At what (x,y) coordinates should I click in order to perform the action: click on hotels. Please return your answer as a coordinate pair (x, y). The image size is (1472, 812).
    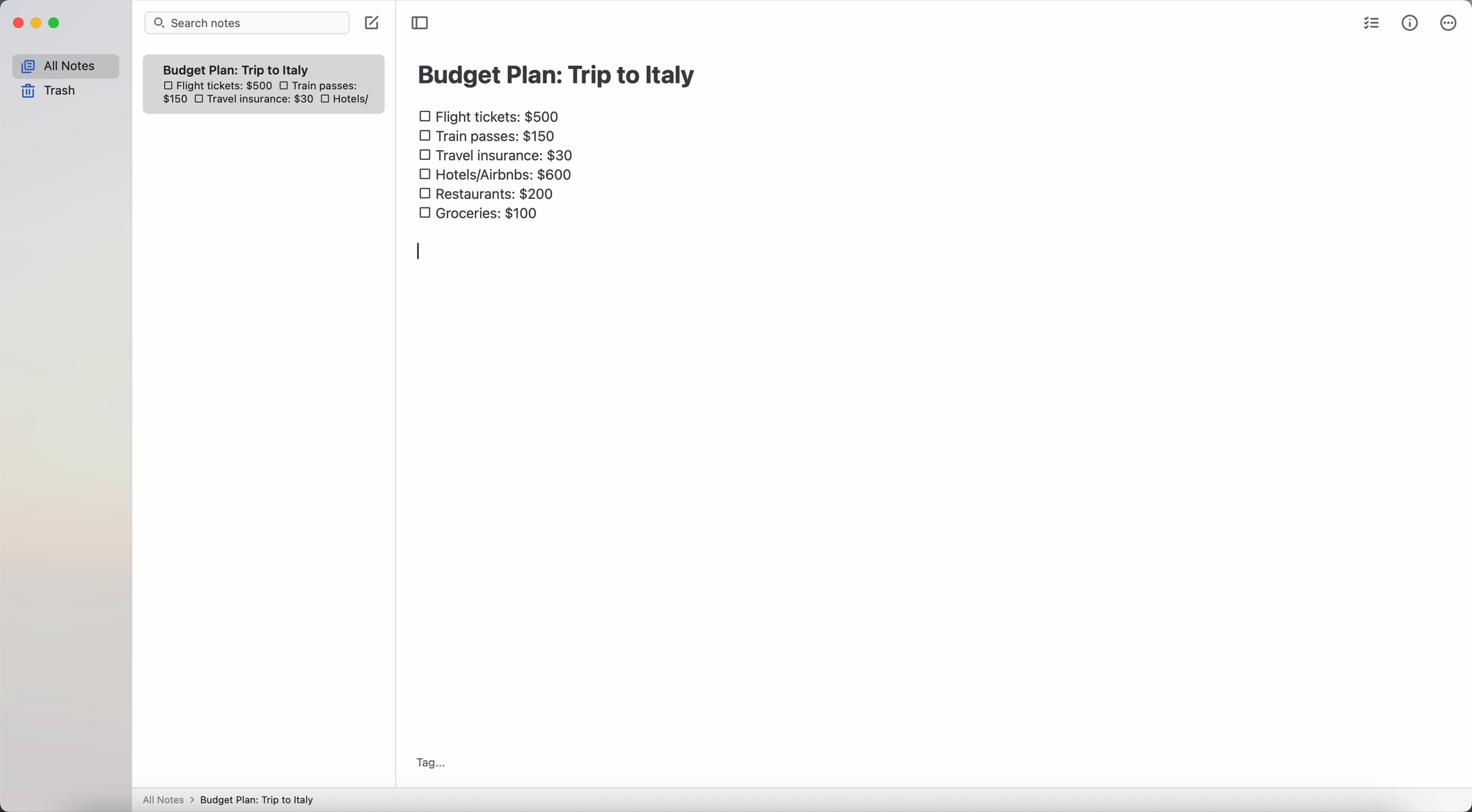
    Looking at the image, I should click on (357, 100).